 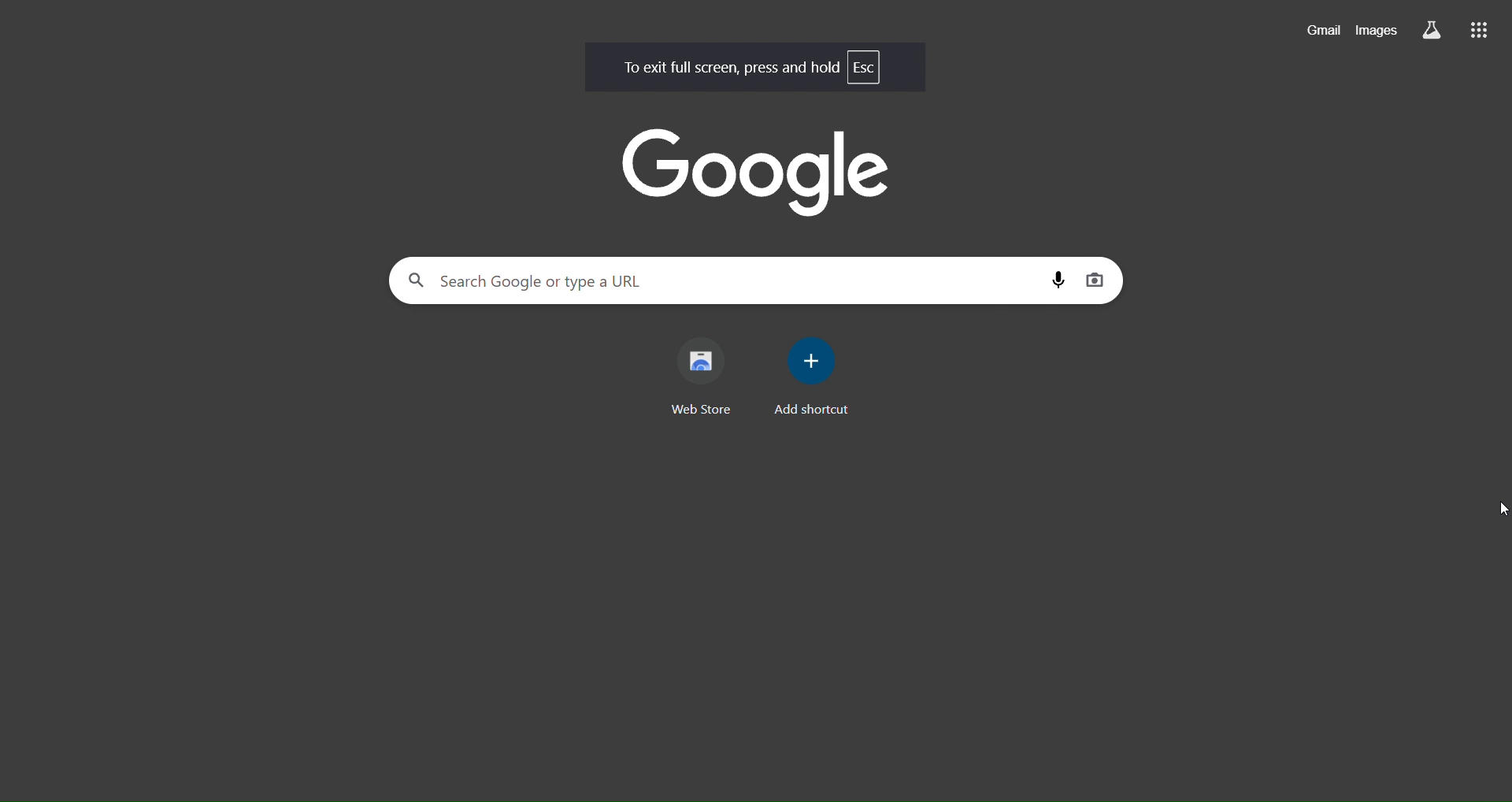 I want to click on google apps, so click(x=1478, y=29).